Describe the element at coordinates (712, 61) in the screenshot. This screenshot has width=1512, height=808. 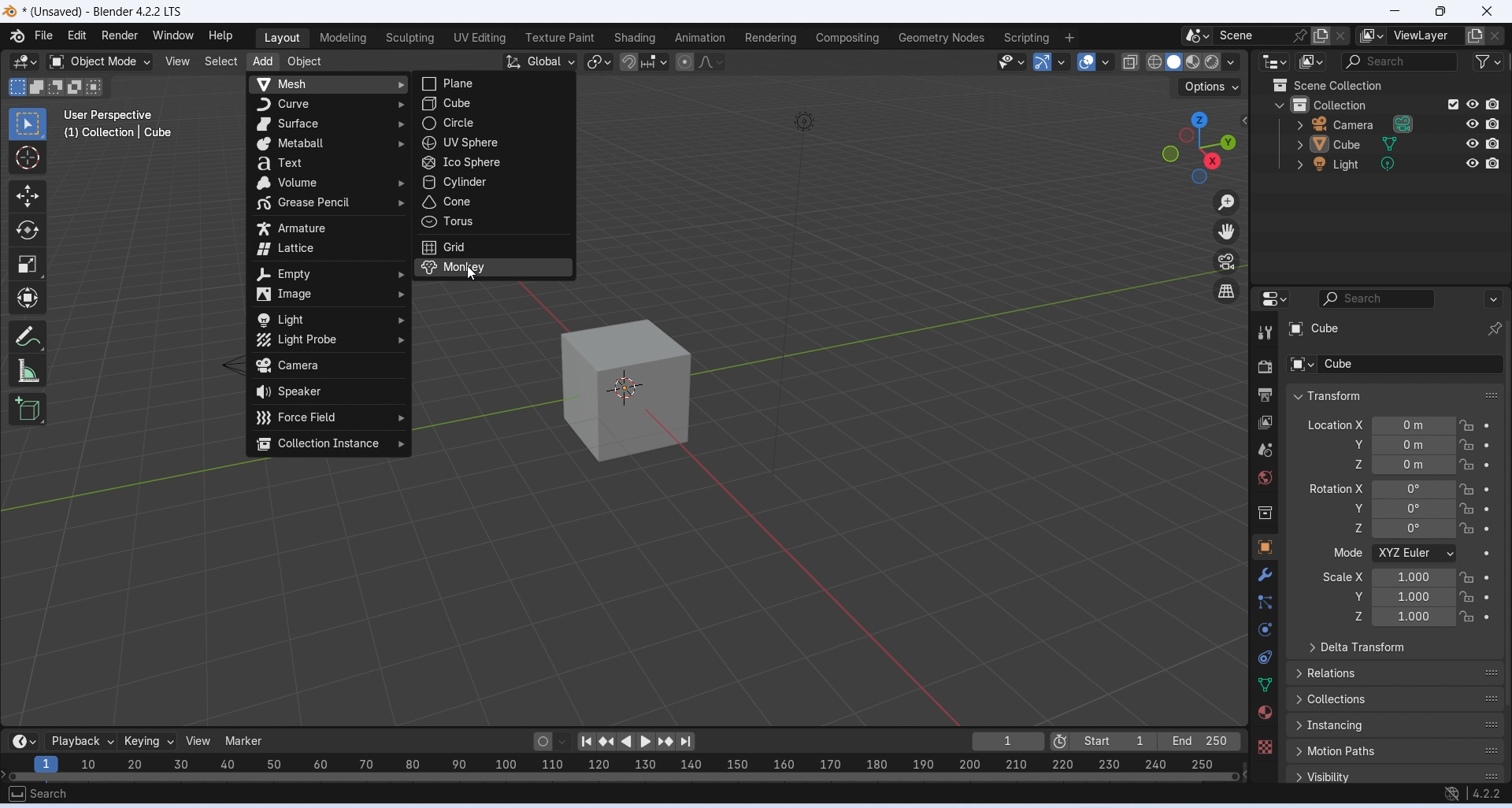
I see `proportional editing fall off` at that location.